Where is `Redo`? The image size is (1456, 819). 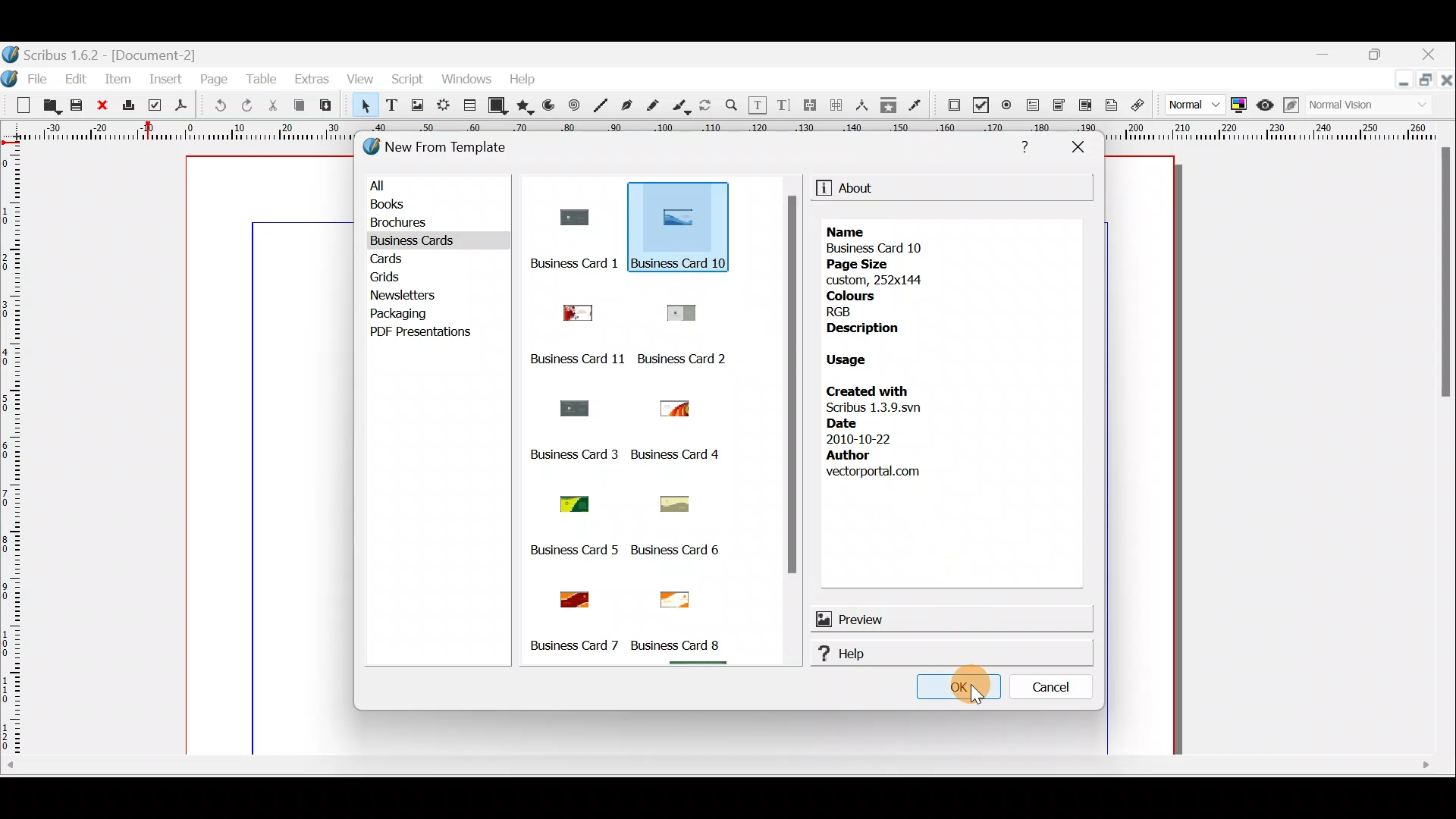 Redo is located at coordinates (243, 107).